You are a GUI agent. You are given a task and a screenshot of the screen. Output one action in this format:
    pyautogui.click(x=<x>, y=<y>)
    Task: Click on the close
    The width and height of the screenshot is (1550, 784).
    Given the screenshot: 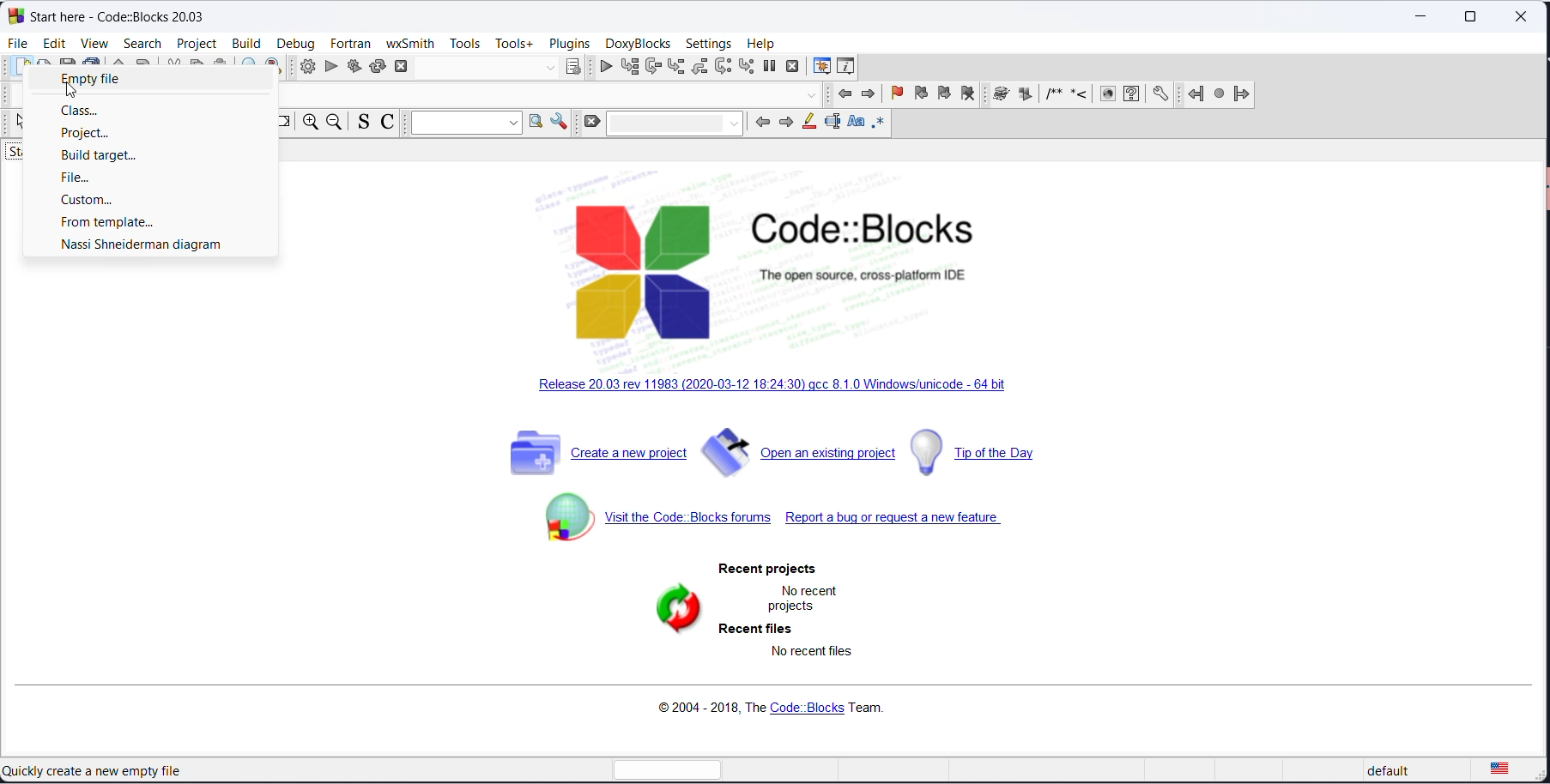 What is the action you would take?
    pyautogui.click(x=1523, y=20)
    